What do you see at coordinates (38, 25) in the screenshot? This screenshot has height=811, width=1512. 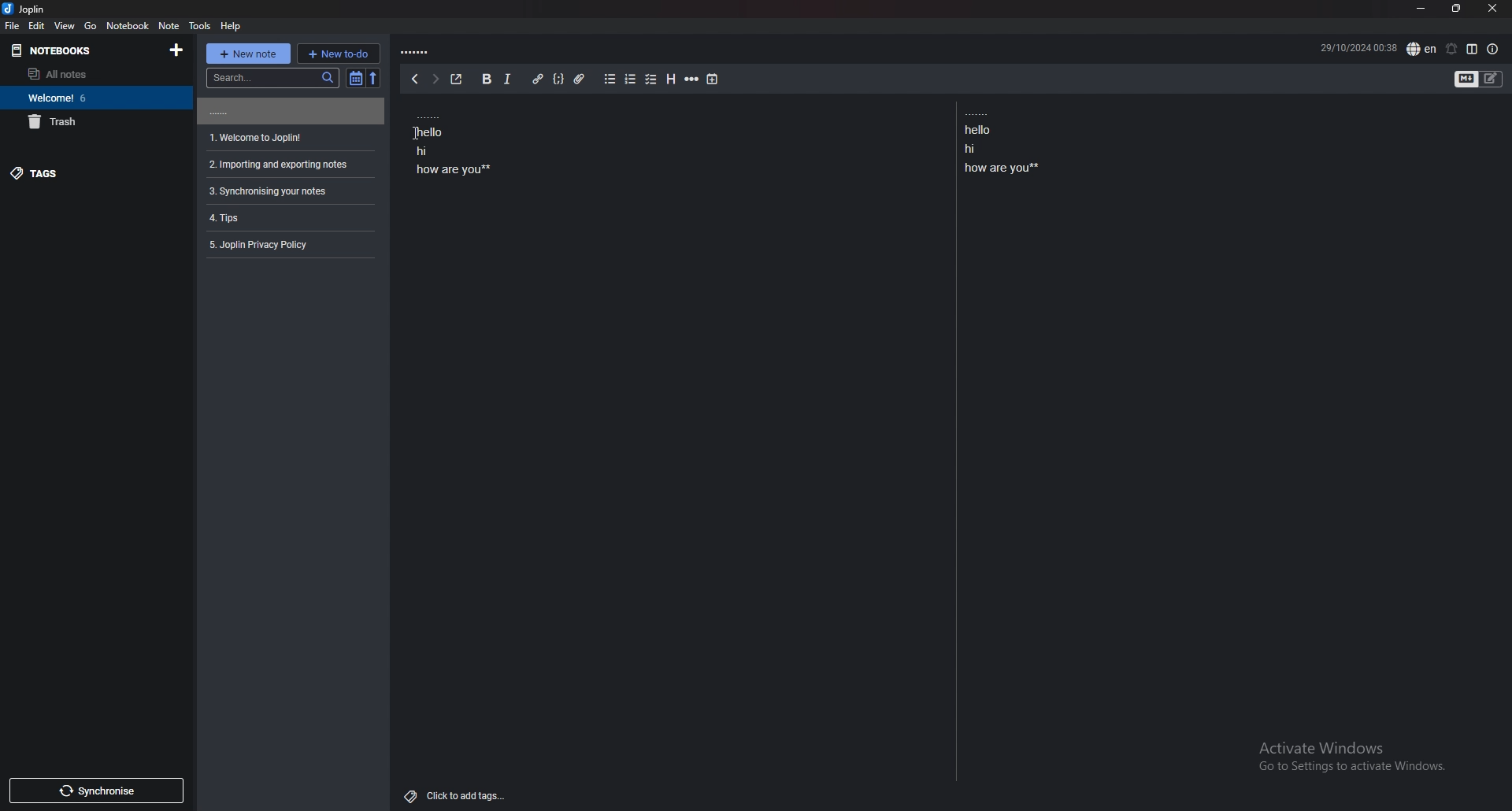 I see `edit` at bounding box center [38, 25].